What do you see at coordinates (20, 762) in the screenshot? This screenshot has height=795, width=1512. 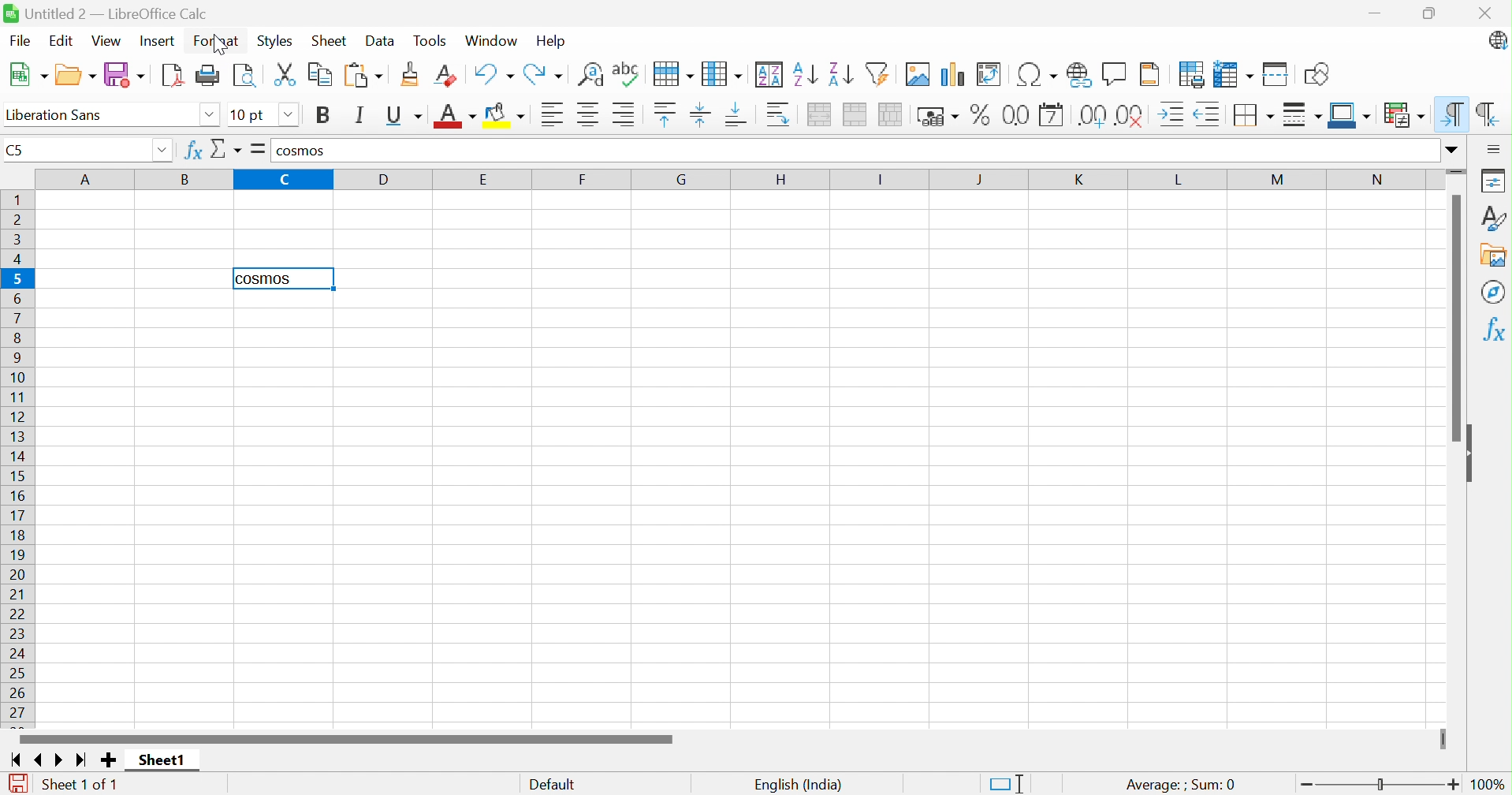 I see `Scroll to first sheet` at bounding box center [20, 762].